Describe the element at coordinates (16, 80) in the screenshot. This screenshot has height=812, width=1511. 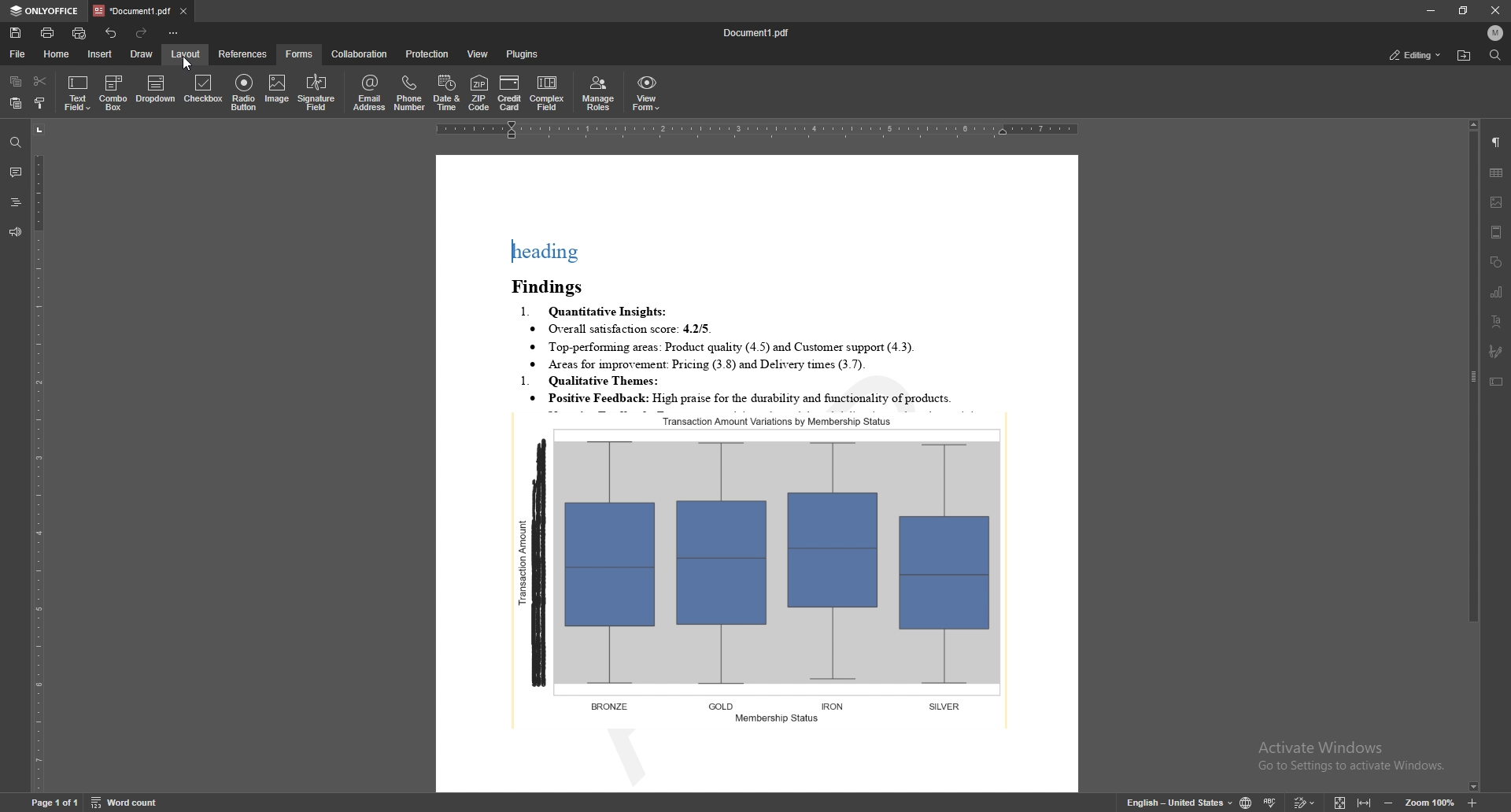
I see `copy` at that location.